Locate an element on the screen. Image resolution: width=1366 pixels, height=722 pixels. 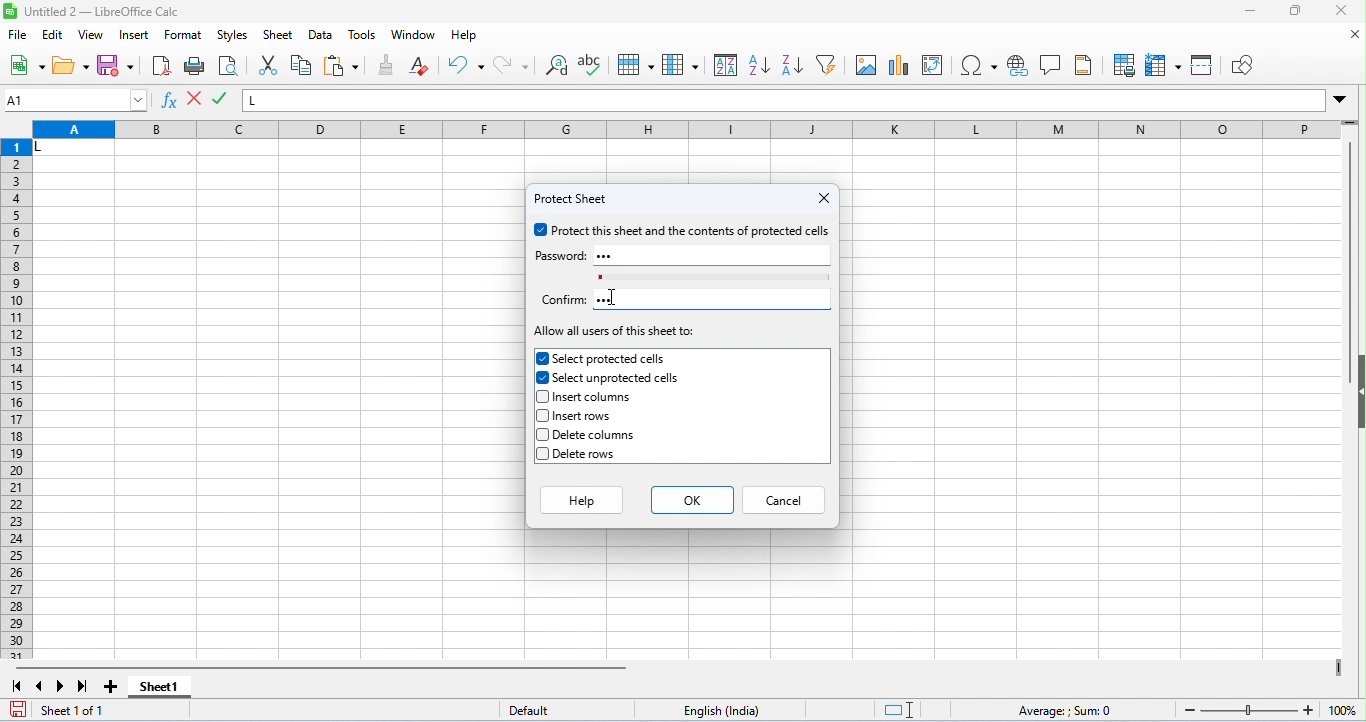
column headings is located at coordinates (685, 131).